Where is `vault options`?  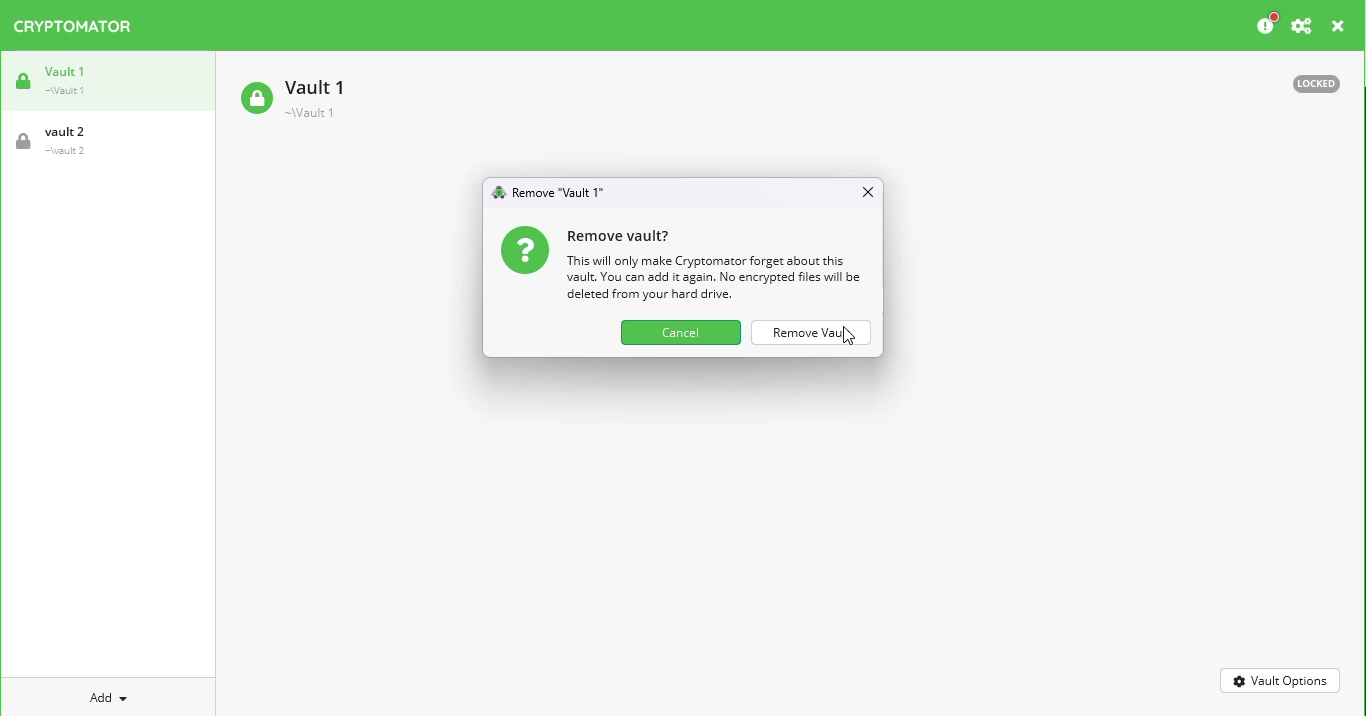 vault options is located at coordinates (1280, 681).